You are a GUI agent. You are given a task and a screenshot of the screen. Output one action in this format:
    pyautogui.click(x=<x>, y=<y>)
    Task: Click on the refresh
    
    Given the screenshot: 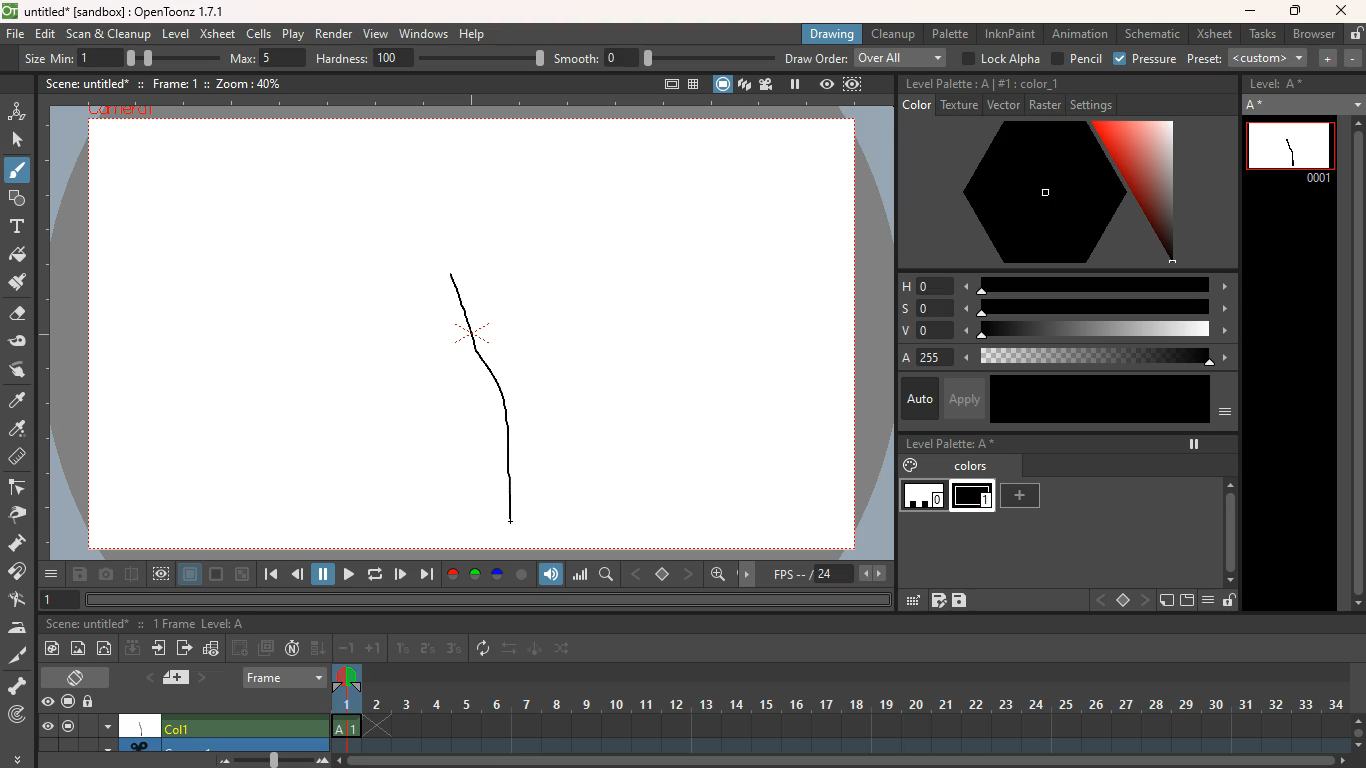 What is the action you would take?
    pyautogui.click(x=372, y=574)
    